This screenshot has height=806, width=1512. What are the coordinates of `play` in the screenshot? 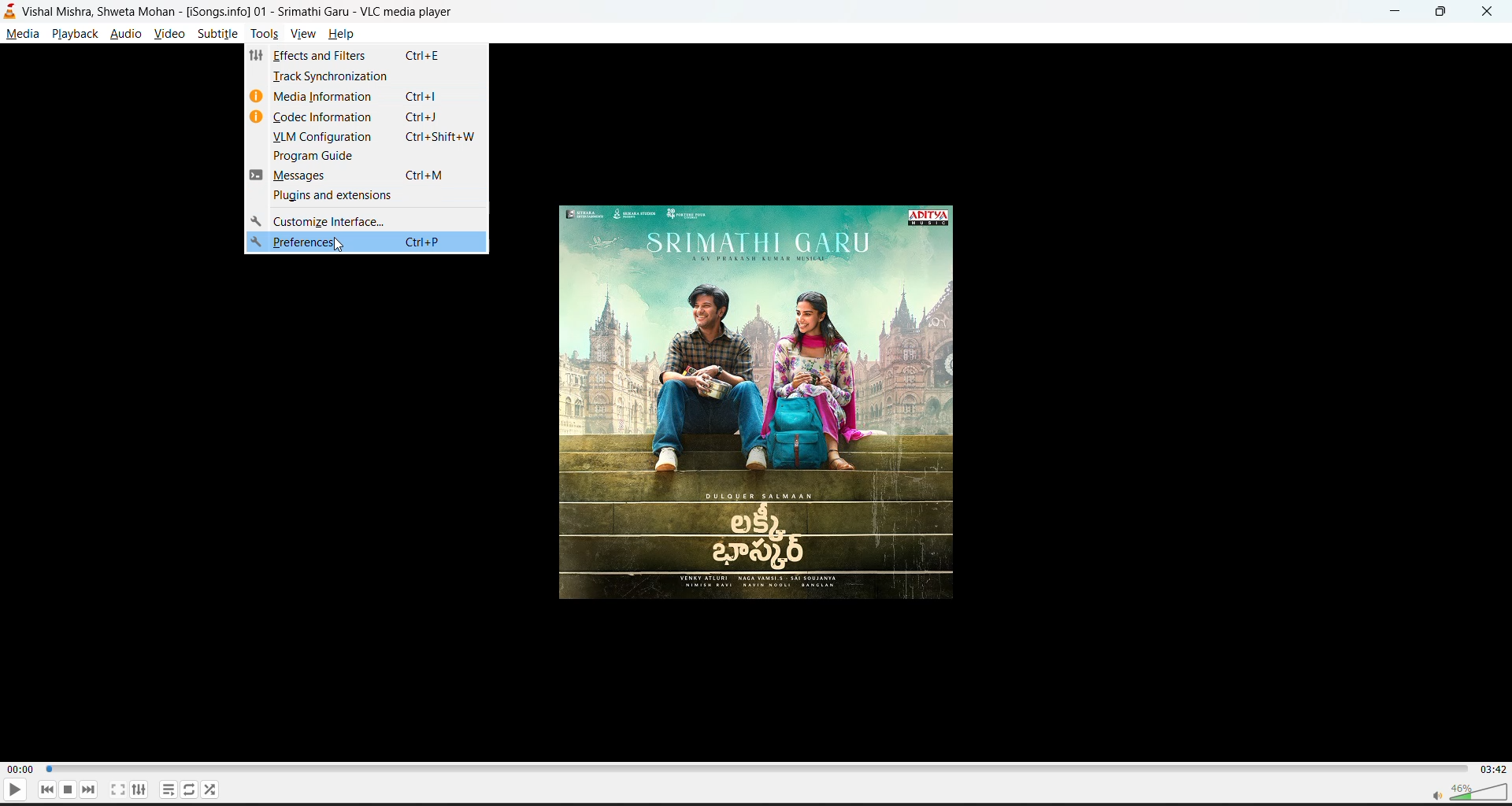 It's located at (13, 792).